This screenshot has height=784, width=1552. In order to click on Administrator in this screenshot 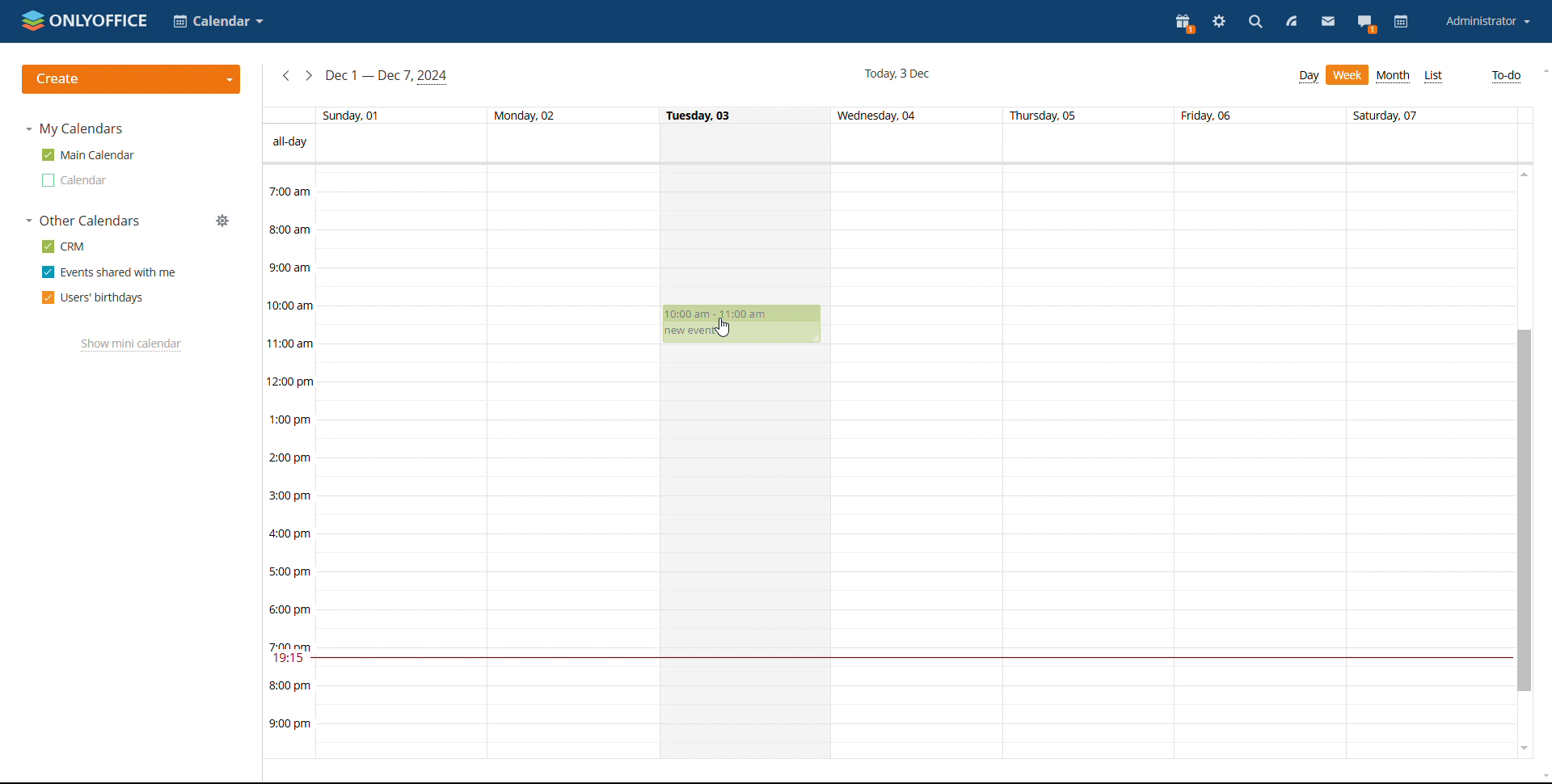, I will do `click(1487, 21)`.